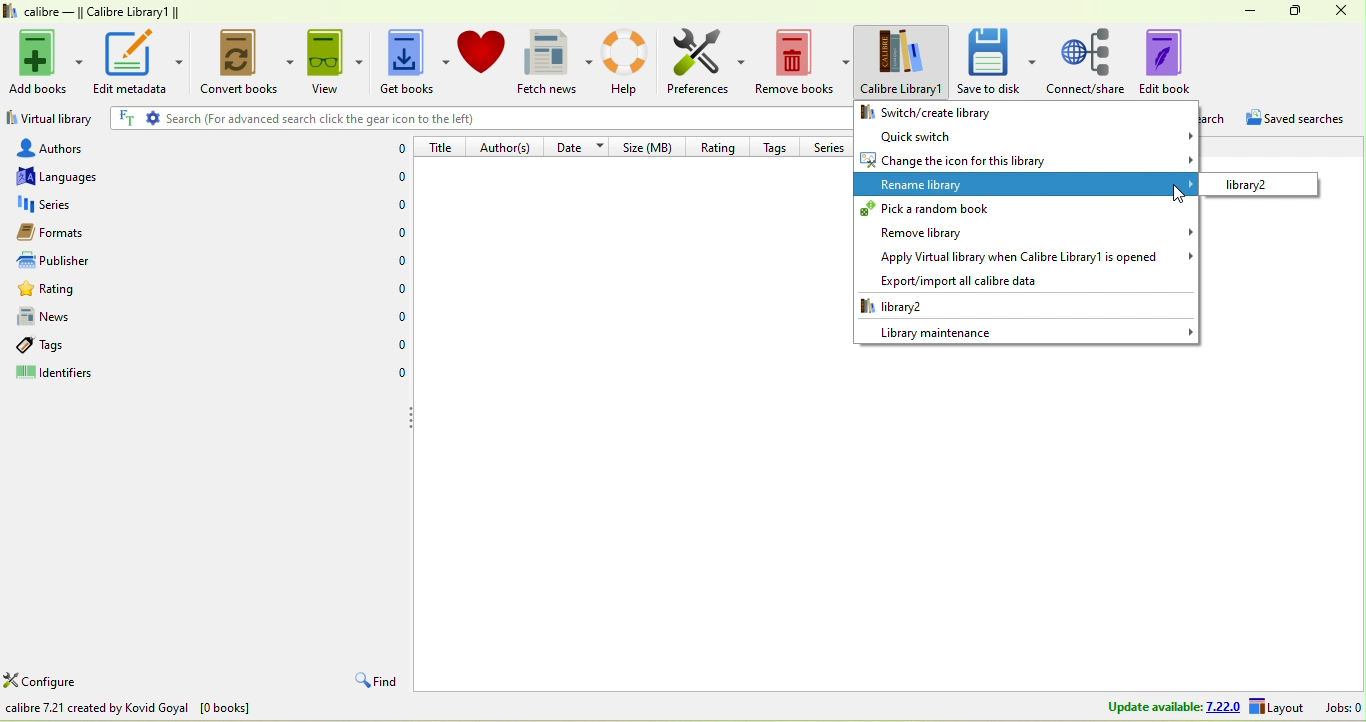 This screenshot has height=722, width=1366. What do you see at coordinates (442, 146) in the screenshot?
I see `title` at bounding box center [442, 146].